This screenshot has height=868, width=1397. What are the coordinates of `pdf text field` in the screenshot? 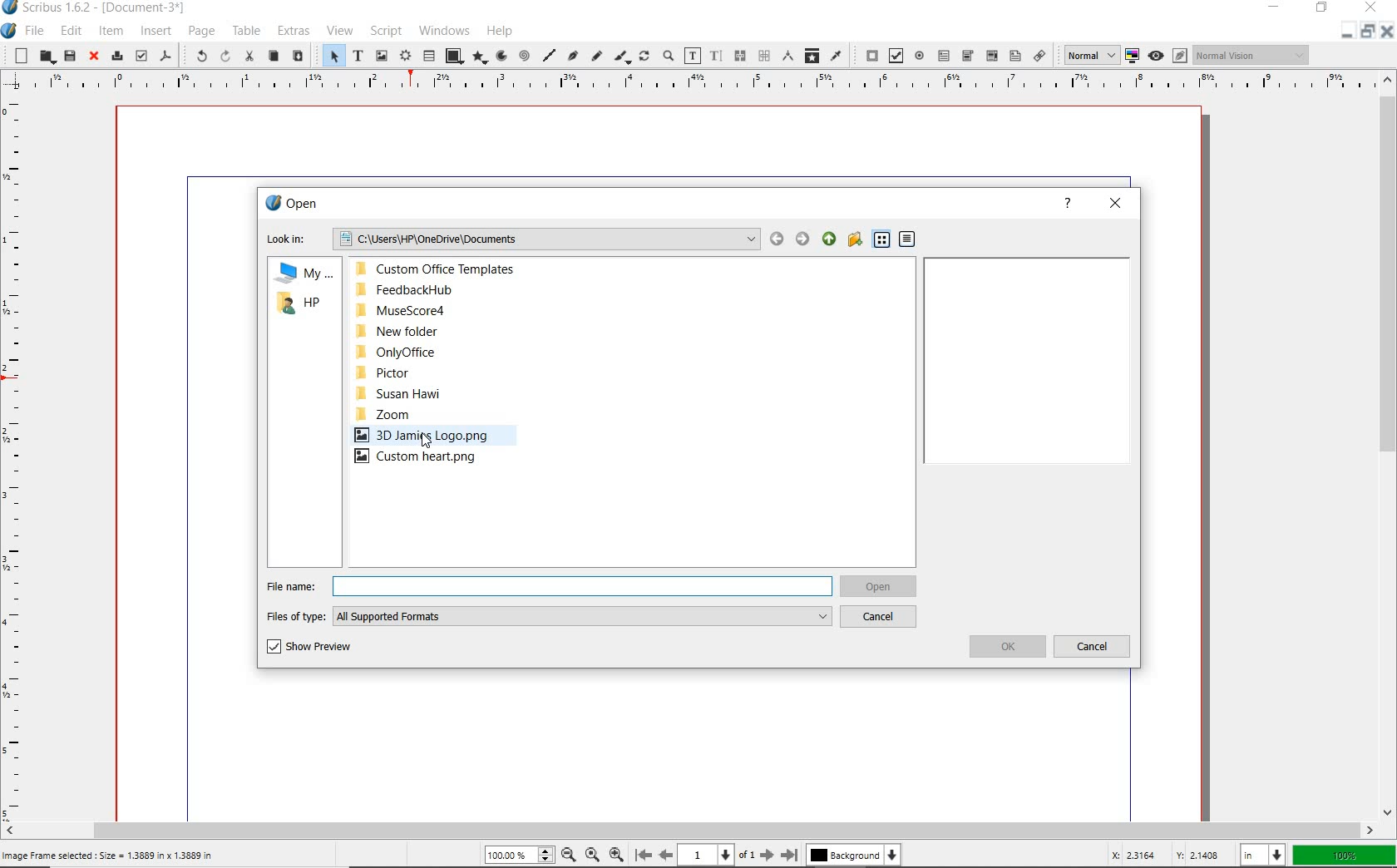 It's located at (945, 57).